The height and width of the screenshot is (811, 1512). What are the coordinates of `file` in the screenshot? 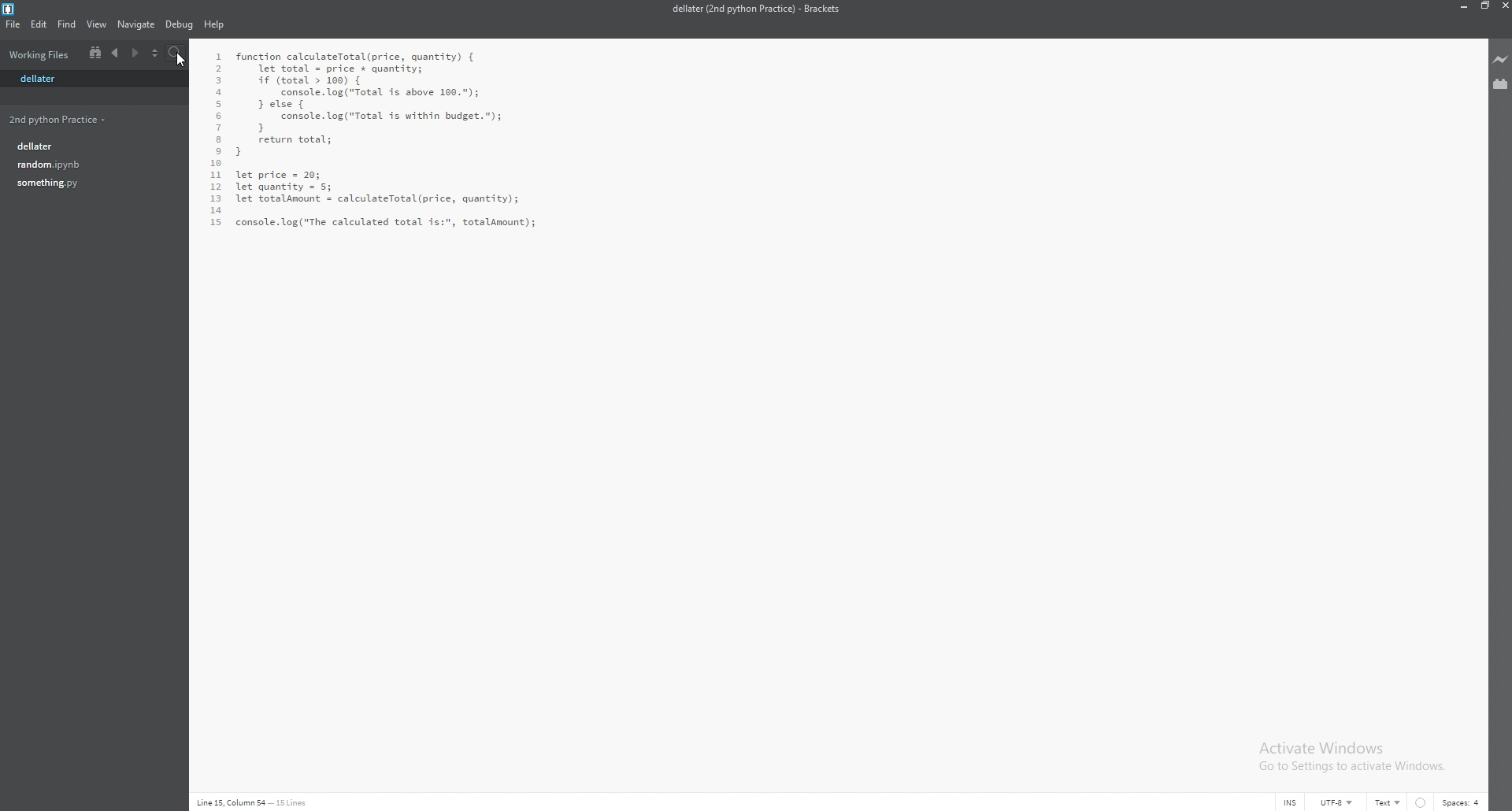 It's located at (14, 24).